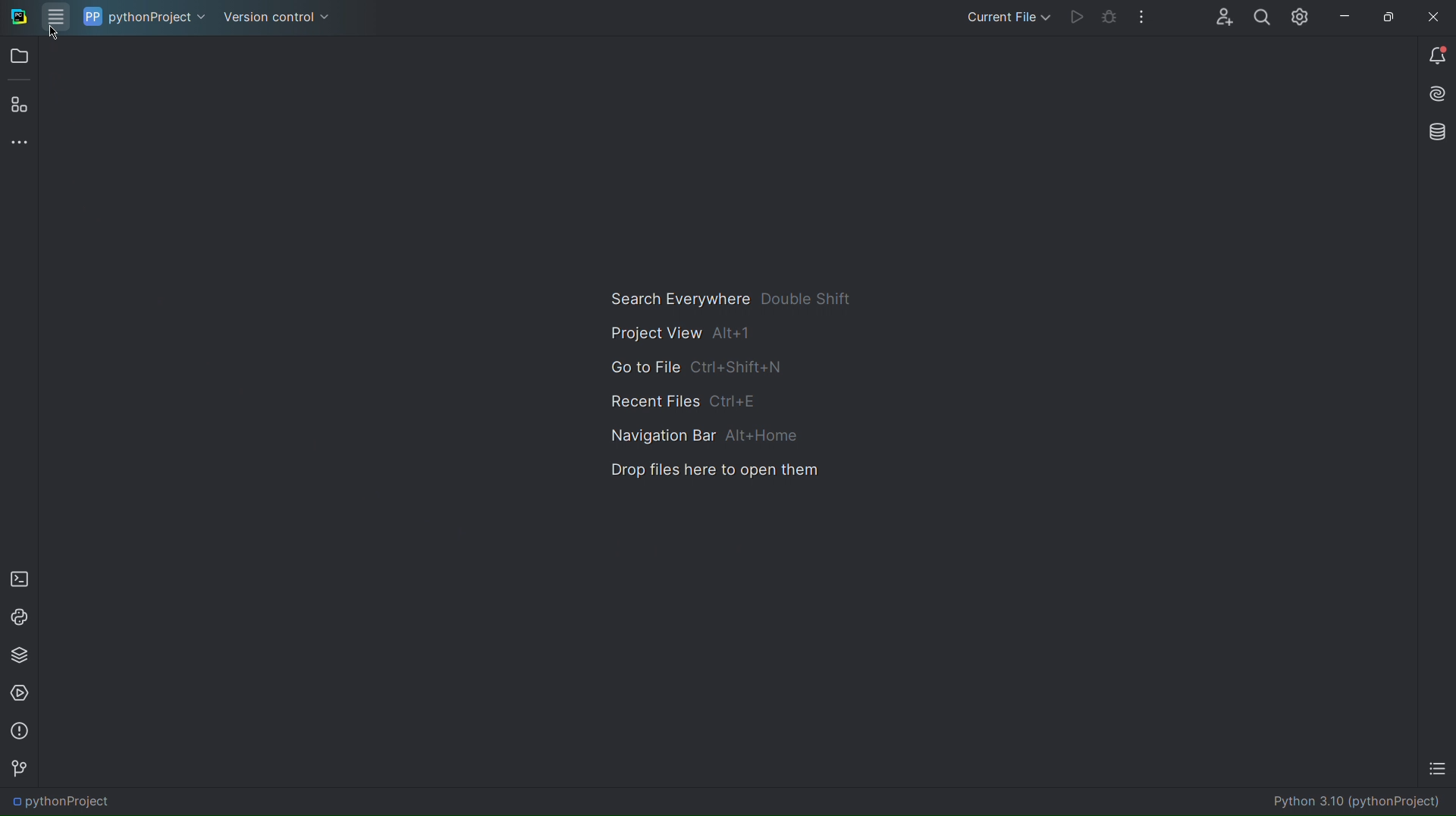  What do you see at coordinates (275, 17) in the screenshot?
I see `Version Control` at bounding box center [275, 17].